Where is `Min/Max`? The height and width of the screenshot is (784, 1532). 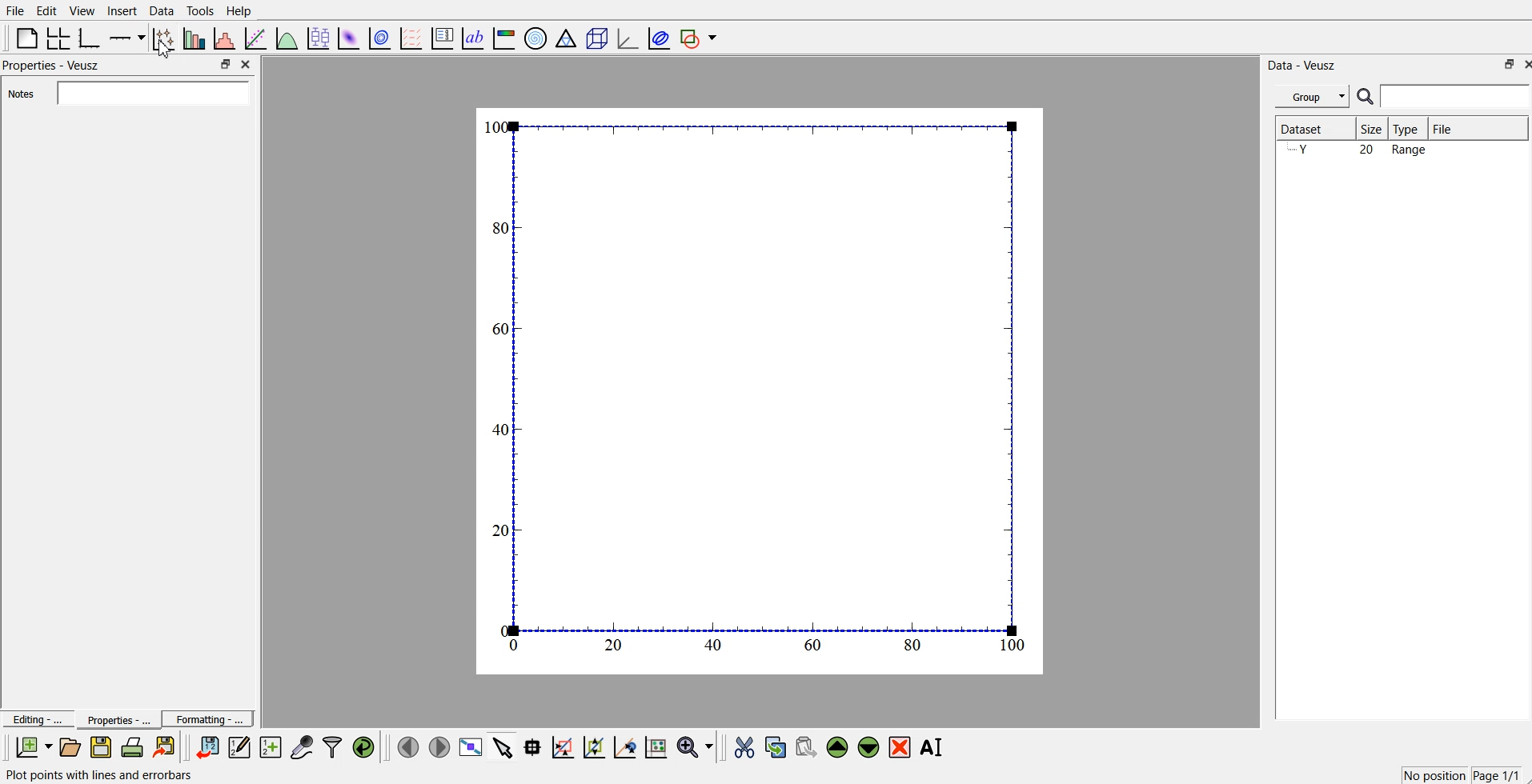 Min/Max is located at coordinates (226, 64).